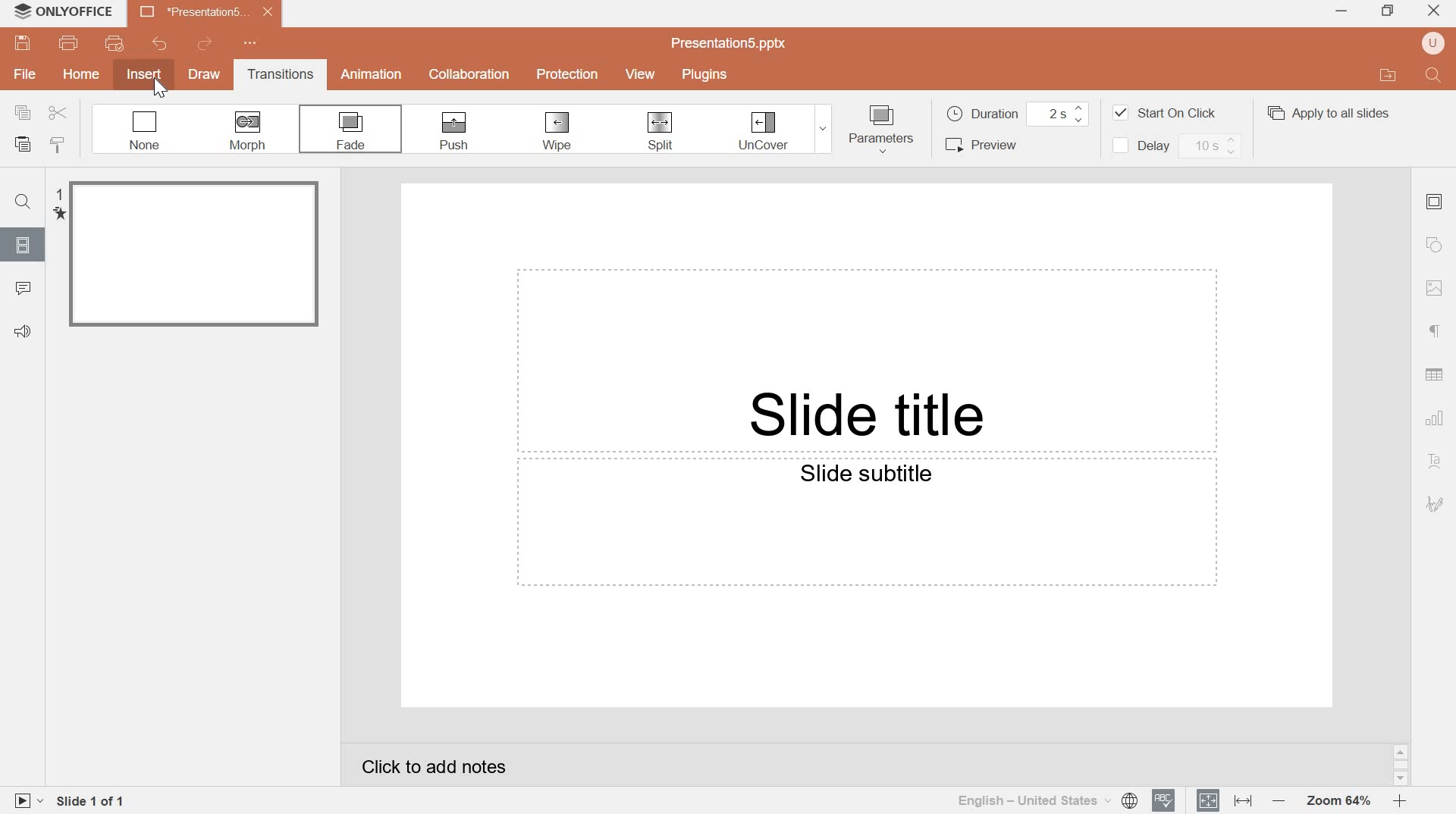 This screenshot has width=1456, height=814. What do you see at coordinates (26, 800) in the screenshot?
I see `start slideshow` at bounding box center [26, 800].